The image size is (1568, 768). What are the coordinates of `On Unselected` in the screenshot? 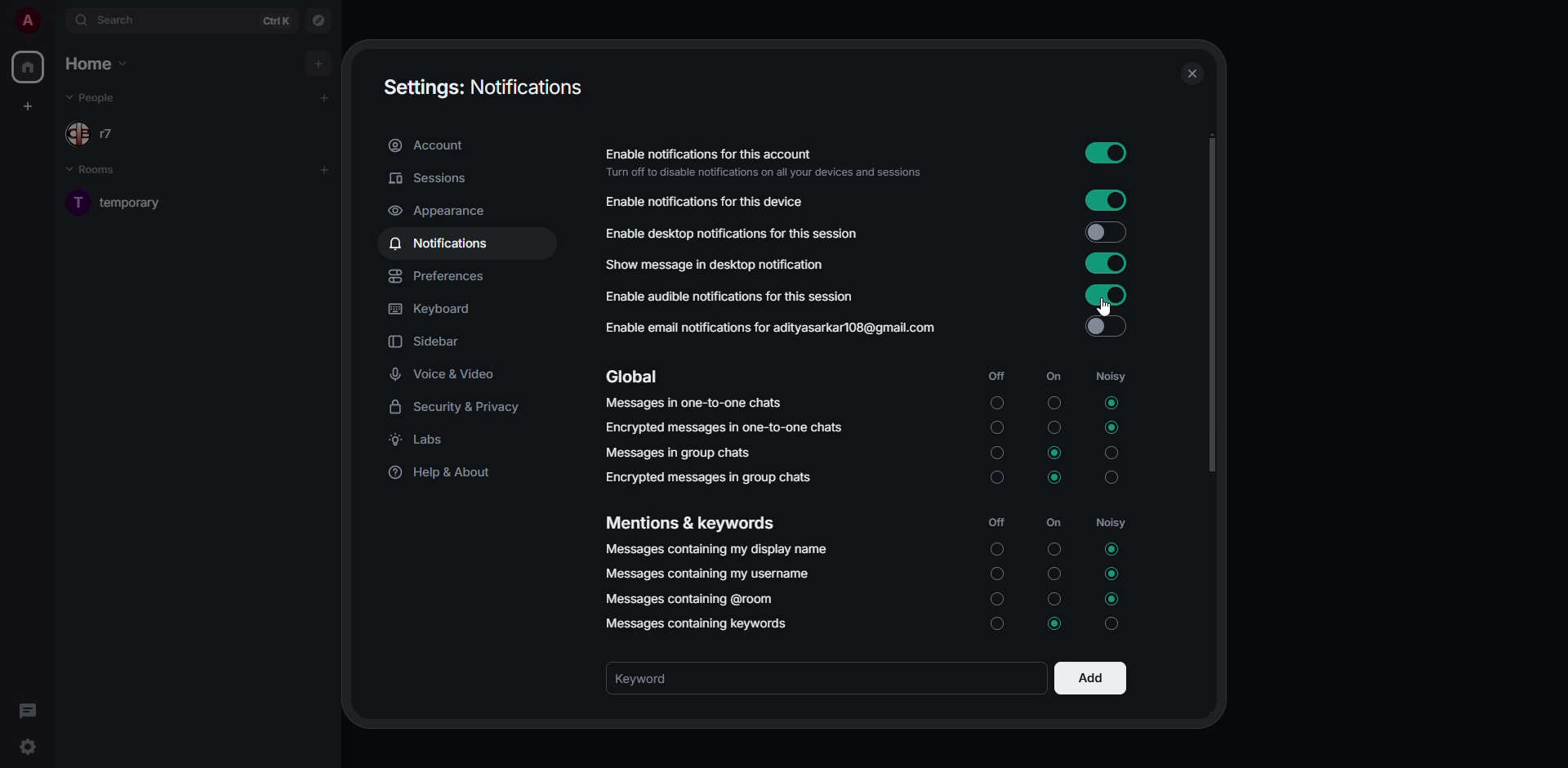 It's located at (1054, 429).